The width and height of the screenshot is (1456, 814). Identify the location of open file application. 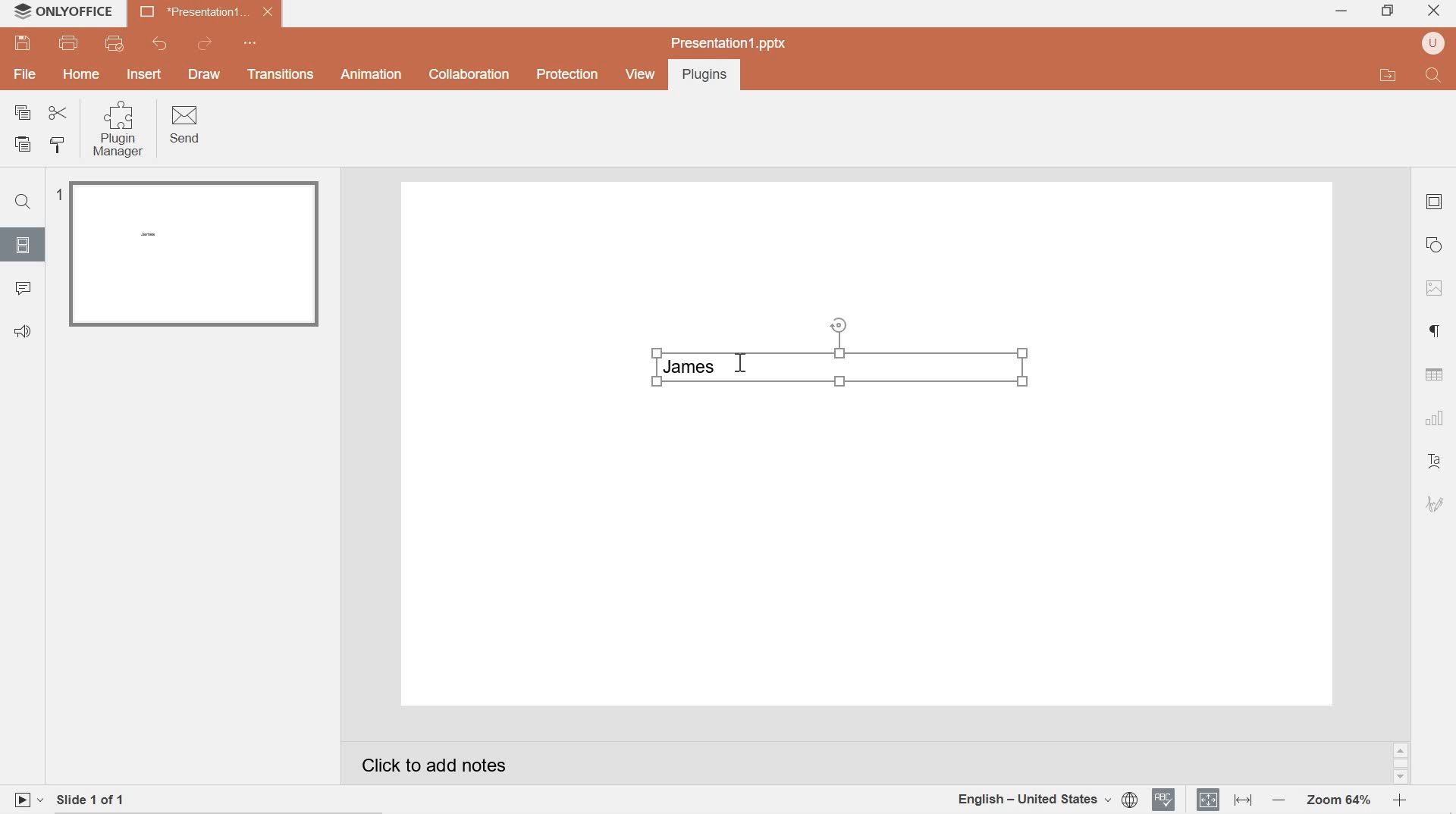
(1386, 75).